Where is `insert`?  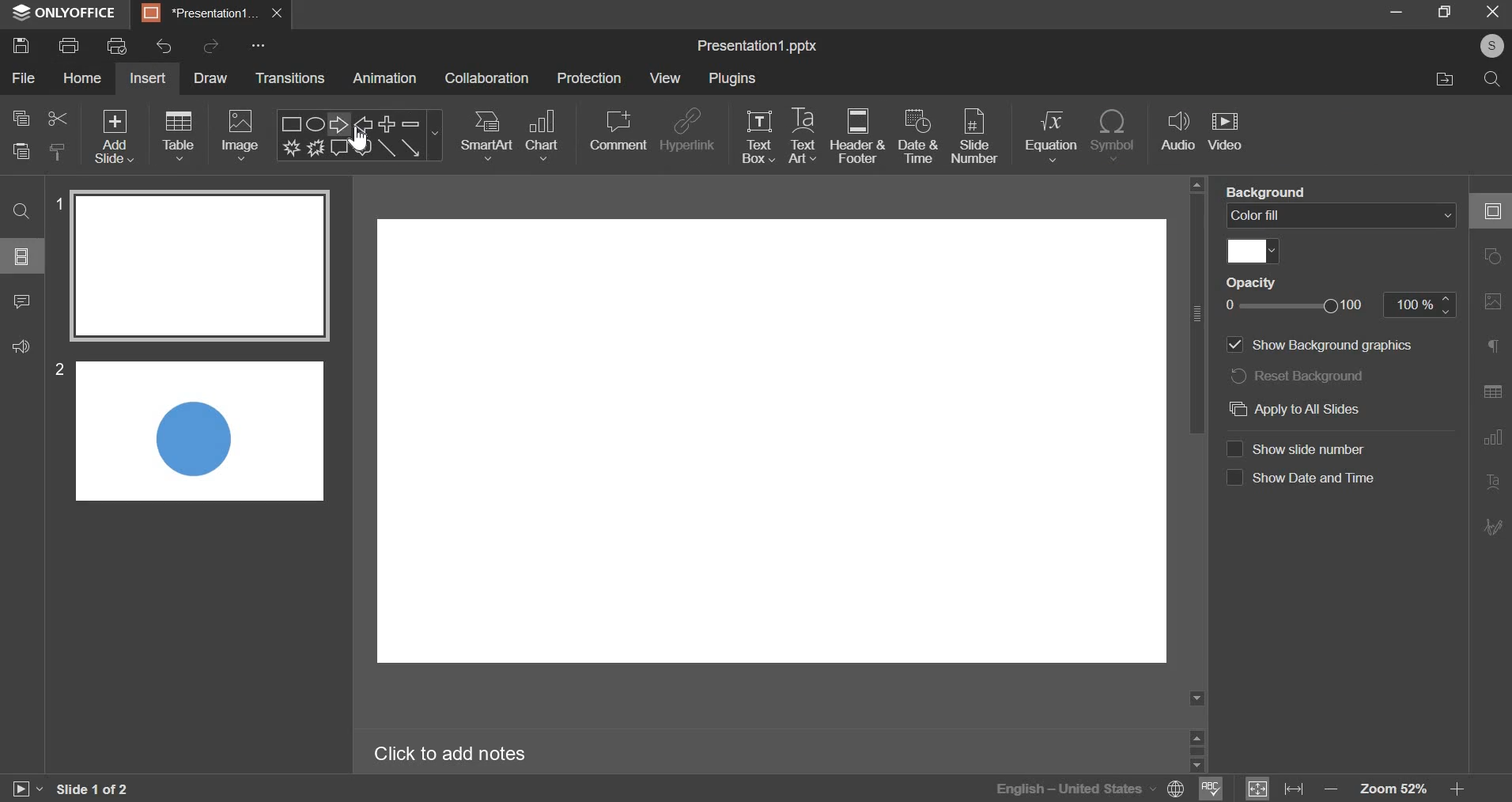
insert is located at coordinates (146, 79).